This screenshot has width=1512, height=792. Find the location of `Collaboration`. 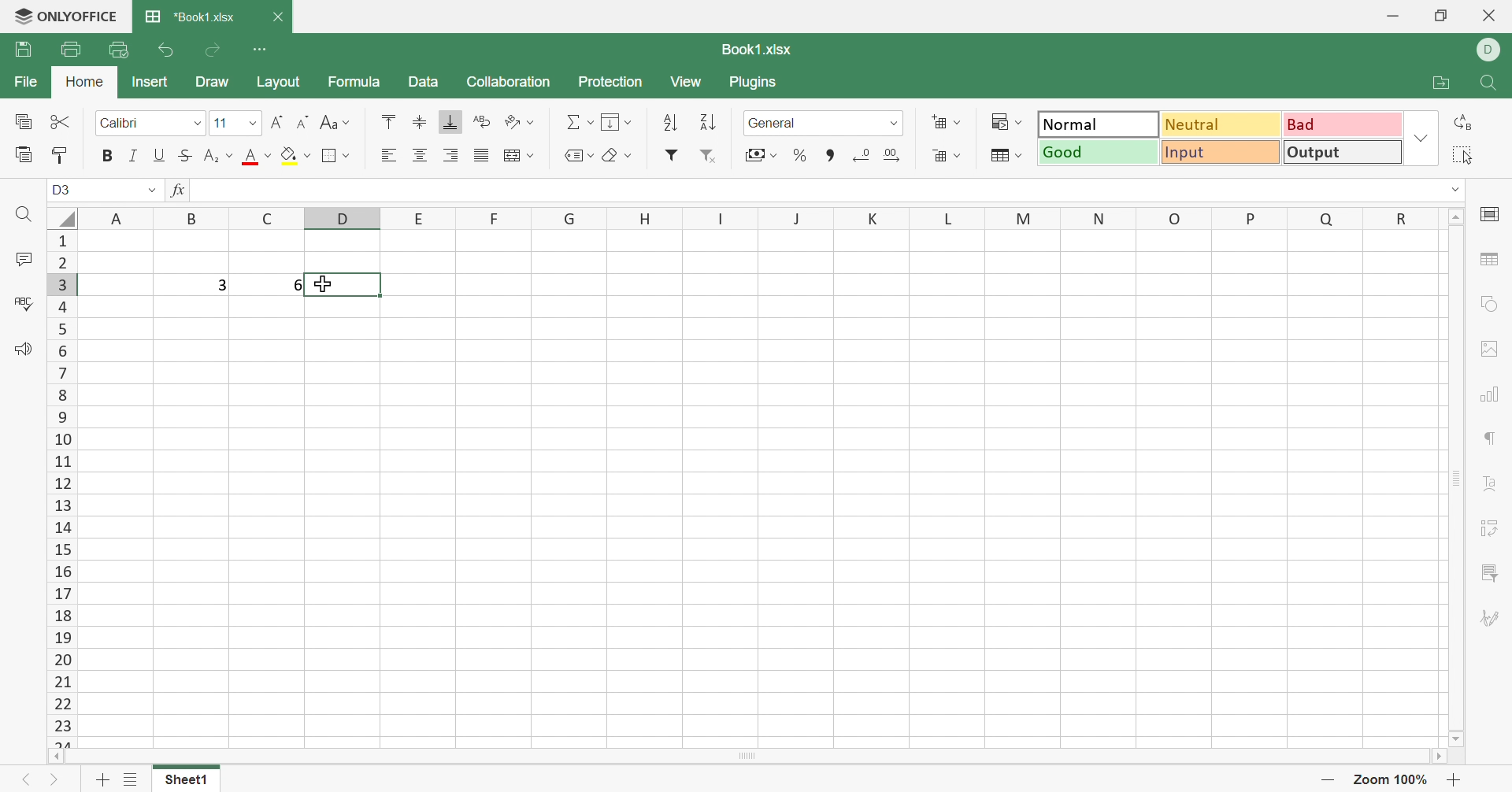

Collaboration is located at coordinates (508, 81).